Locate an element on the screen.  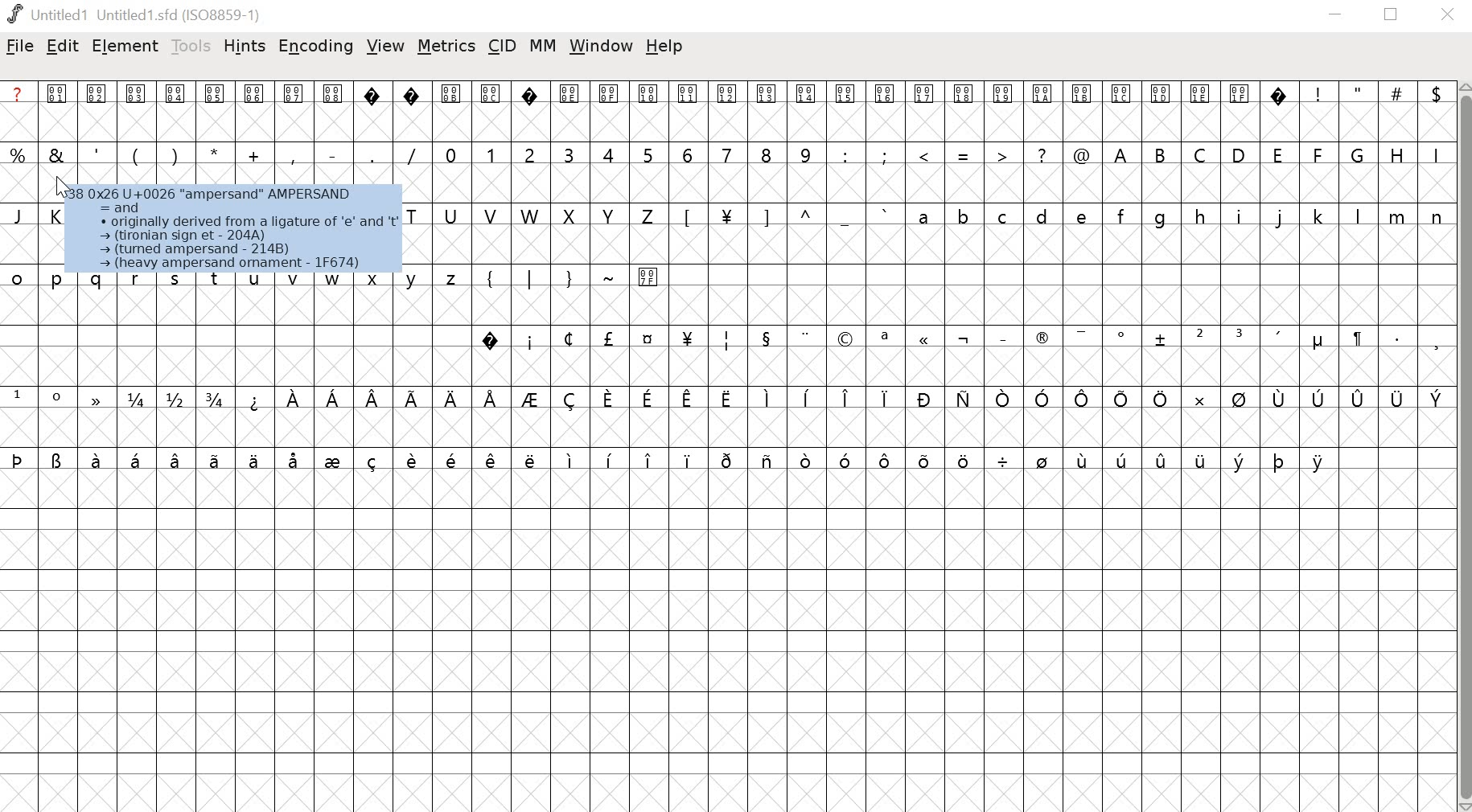
@ is located at coordinates (1082, 153).